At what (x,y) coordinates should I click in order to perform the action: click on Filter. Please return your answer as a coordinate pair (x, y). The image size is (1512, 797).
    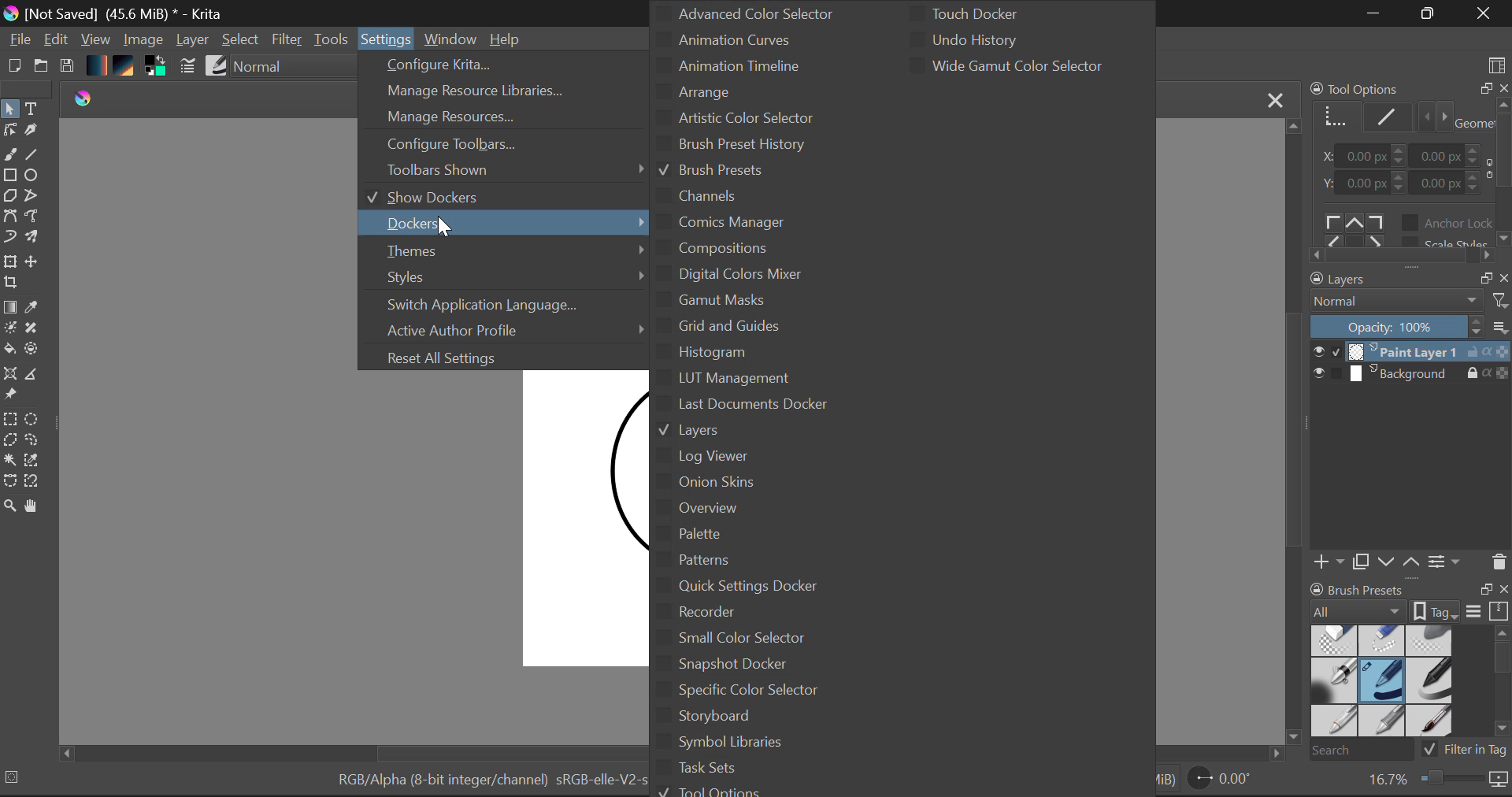
    Looking at the image, I should click on (285, 40).